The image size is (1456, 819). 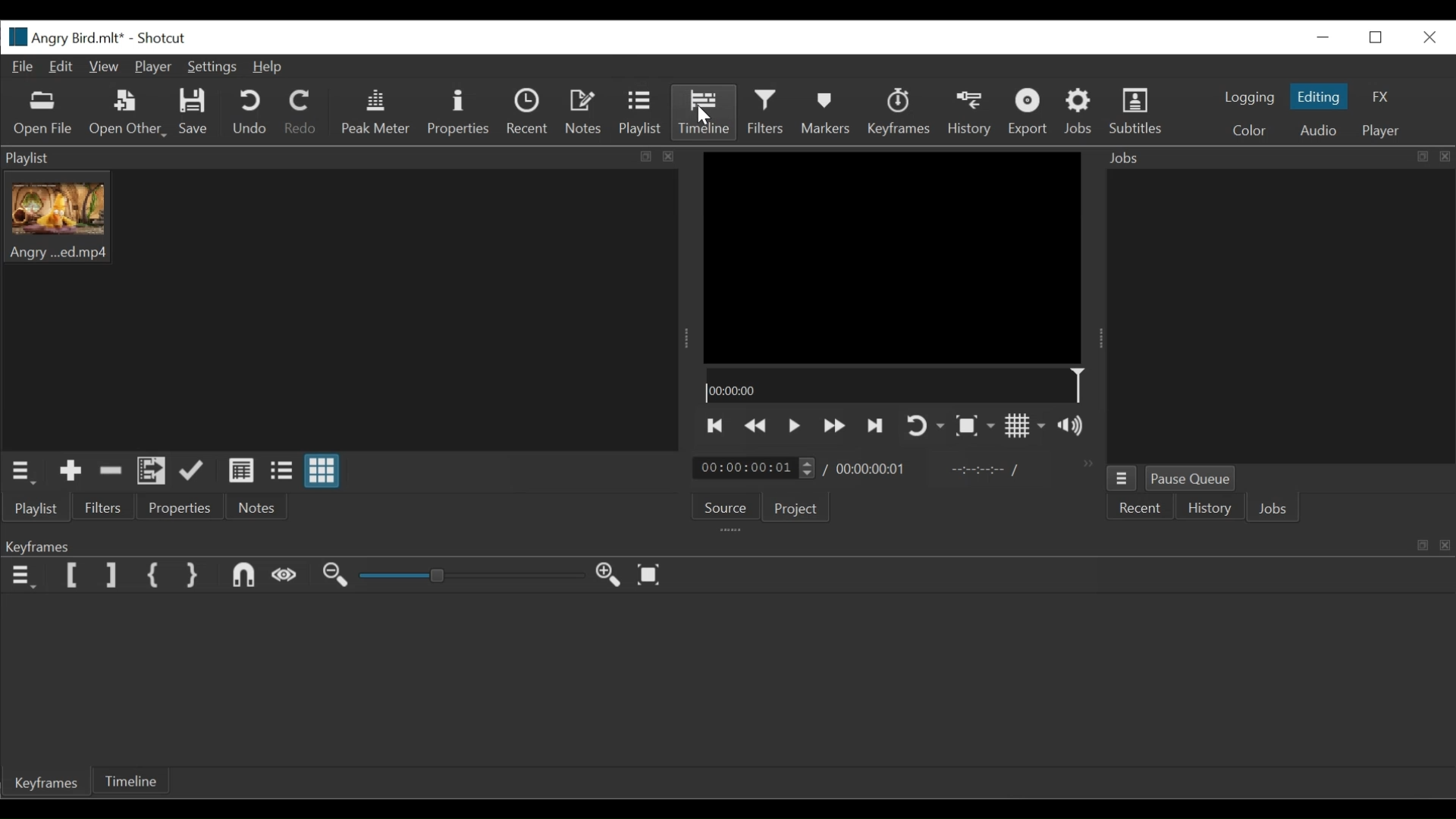 I want to click on Open Other, so click(x=129, y=113).